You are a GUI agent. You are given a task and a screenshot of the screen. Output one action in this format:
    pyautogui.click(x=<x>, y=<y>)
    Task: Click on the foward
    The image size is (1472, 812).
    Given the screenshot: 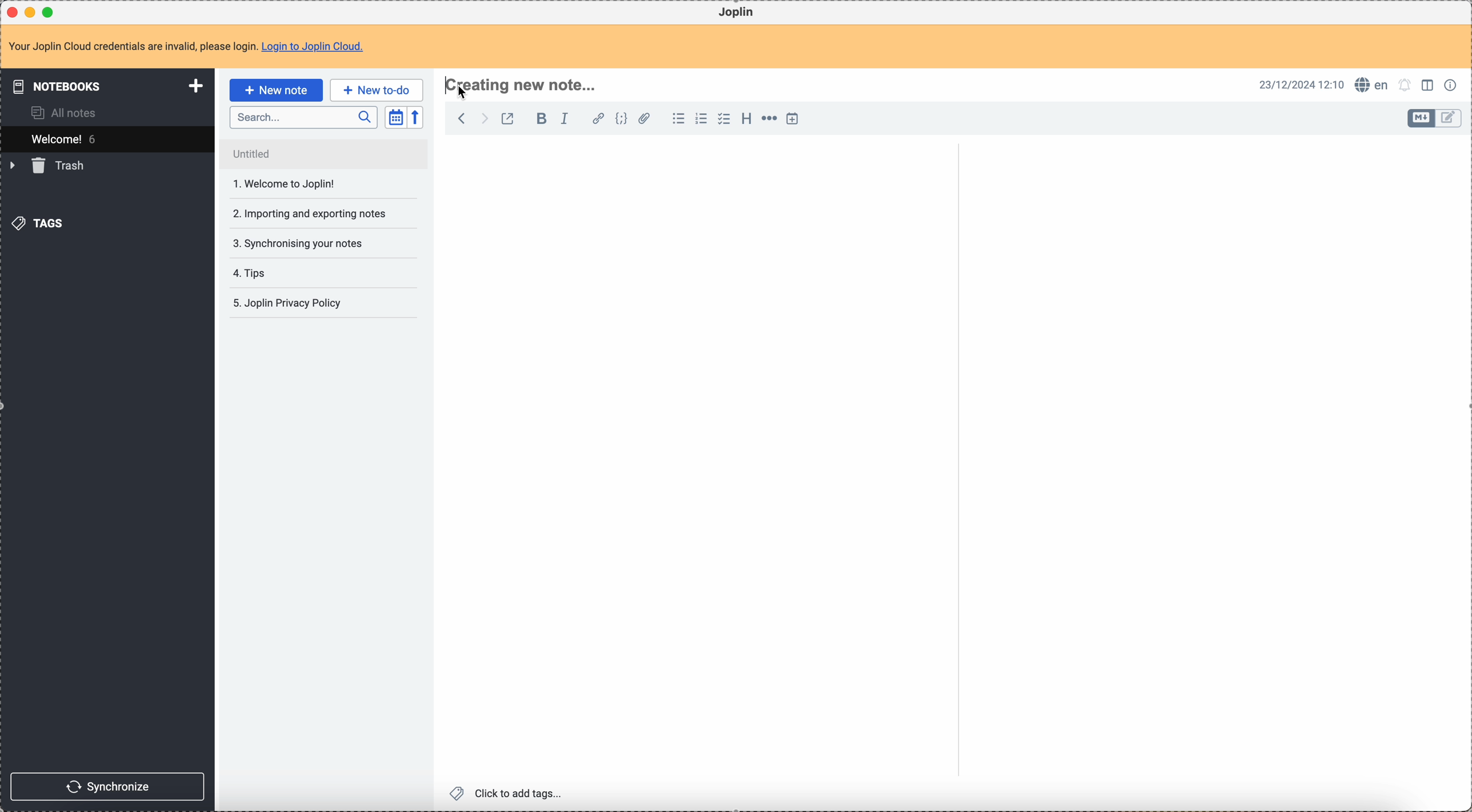 What is the action you would take?
    pyautogui.click(x=483, y=118)
    